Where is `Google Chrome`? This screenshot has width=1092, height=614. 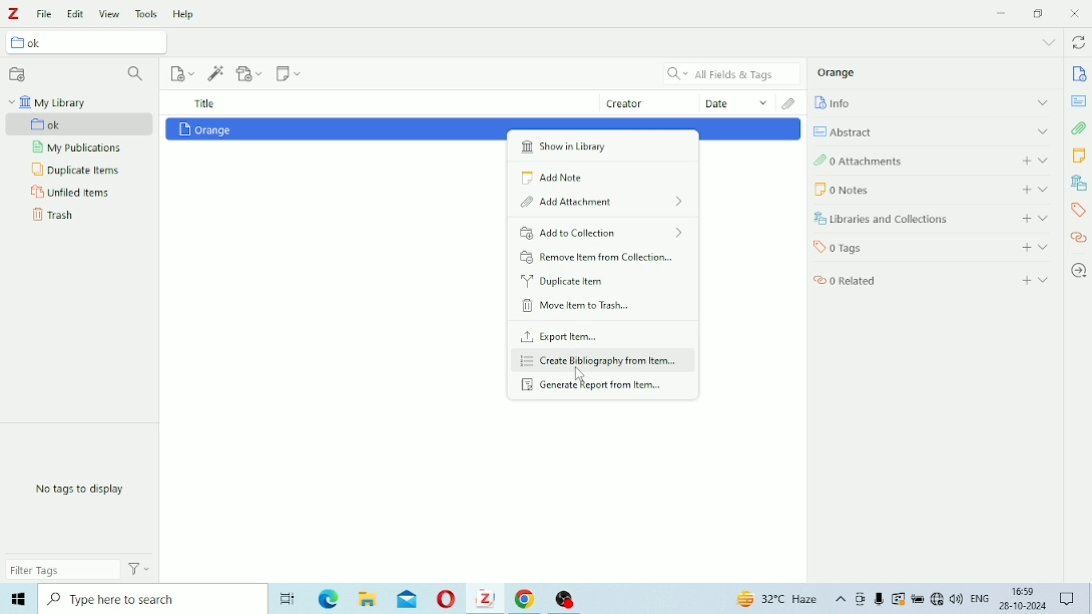
Google Chrome is located at coordinates (528, 599).